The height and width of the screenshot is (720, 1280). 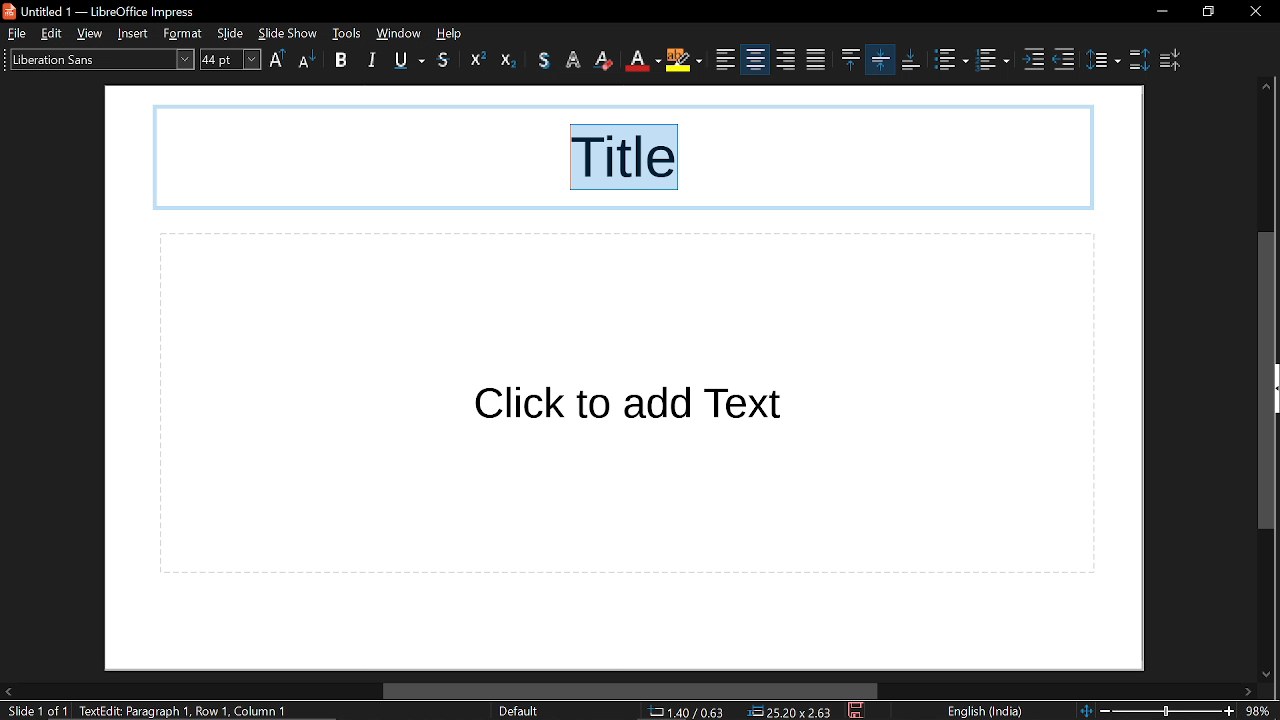 I want to click on text style, so click(x=96, y=58).